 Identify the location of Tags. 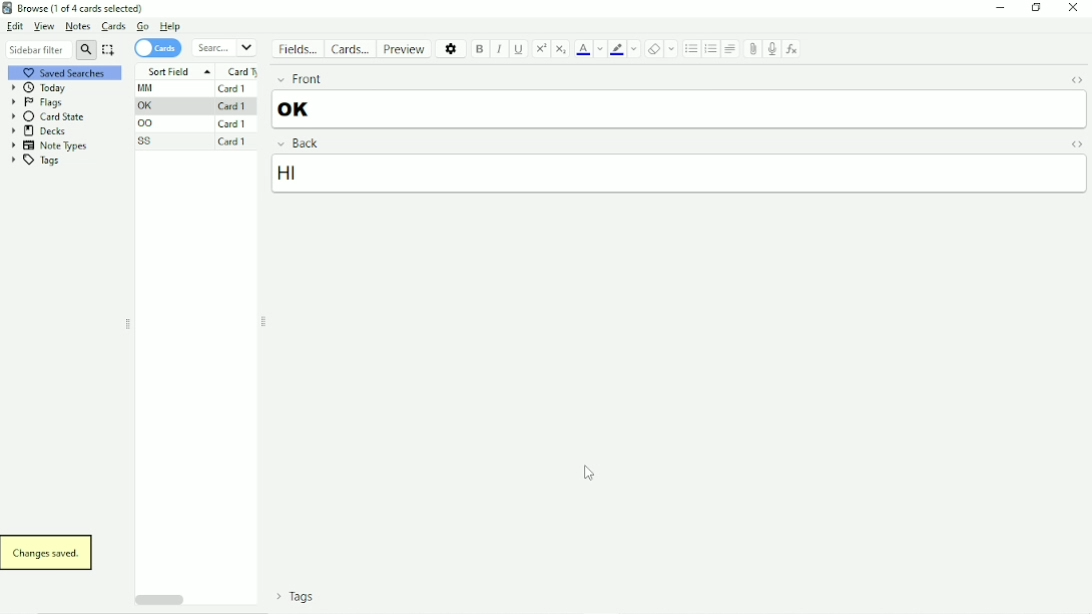
(291, 599).